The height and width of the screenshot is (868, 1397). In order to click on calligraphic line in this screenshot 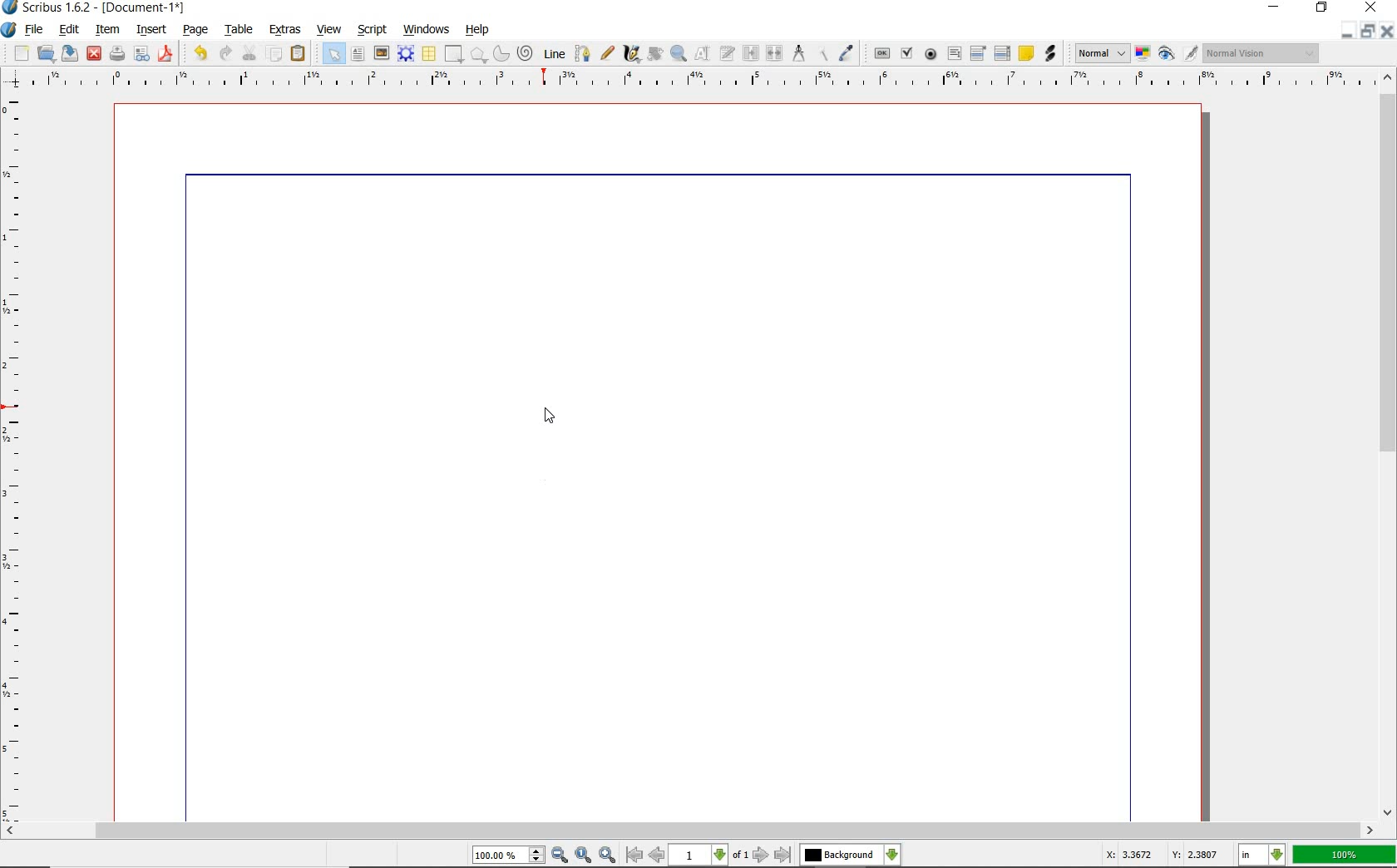, I will do `click(631, 55)`.